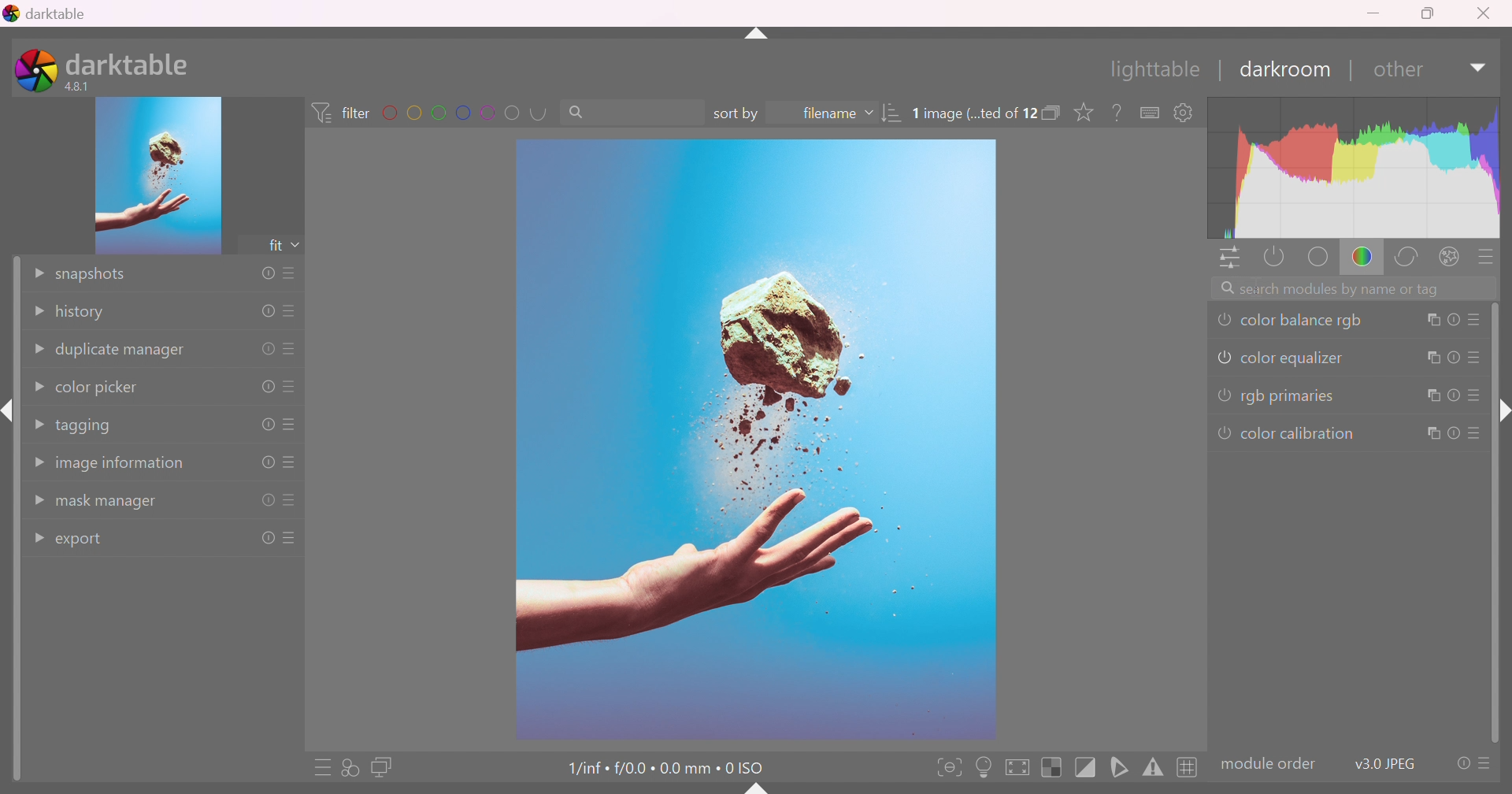  What do you see at coordinates (1430, 359) in the screenshot?
I see `multiple instance actions` at bounding box center [1430, 359].